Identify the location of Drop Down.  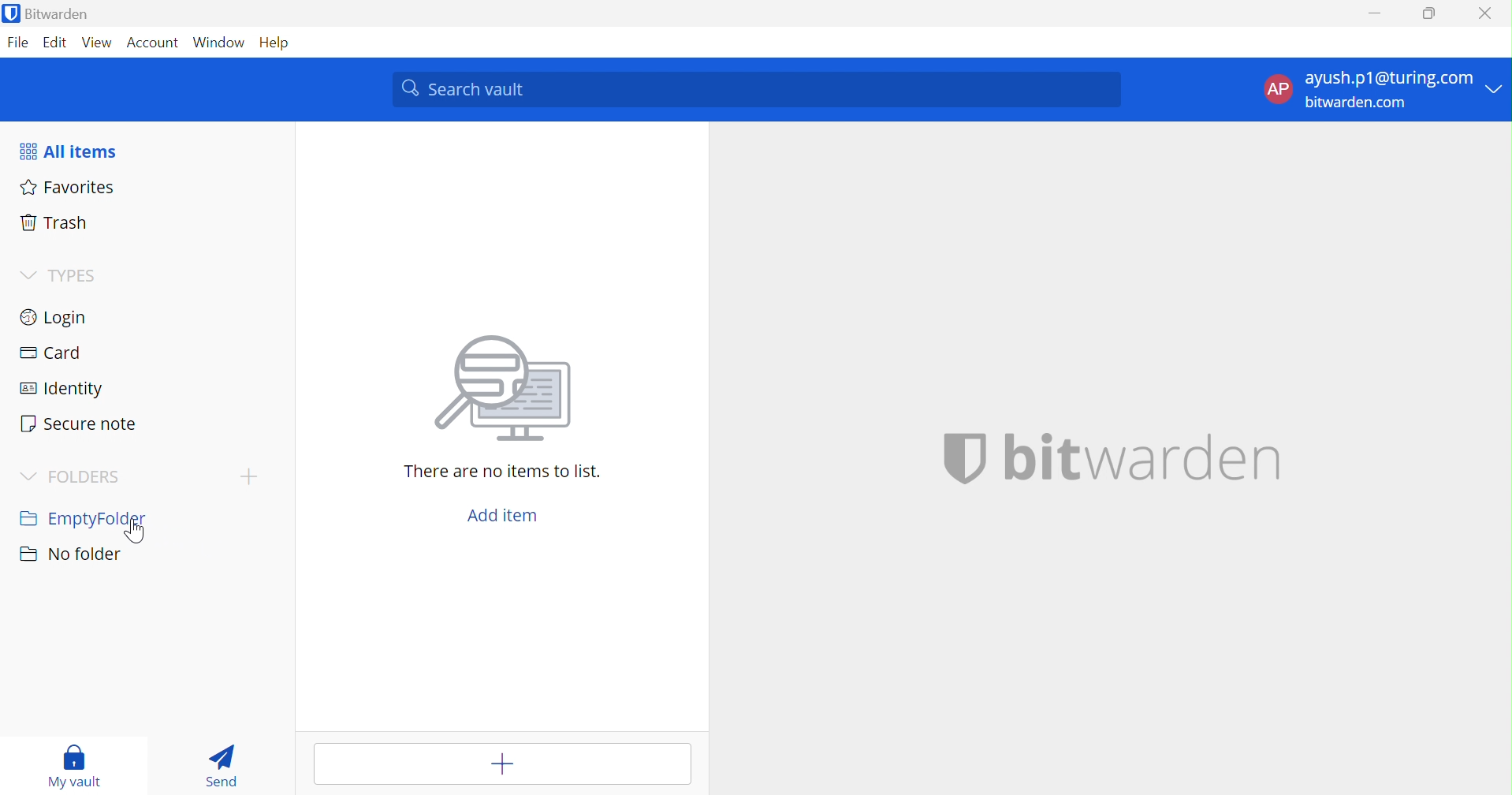
(26, 274).